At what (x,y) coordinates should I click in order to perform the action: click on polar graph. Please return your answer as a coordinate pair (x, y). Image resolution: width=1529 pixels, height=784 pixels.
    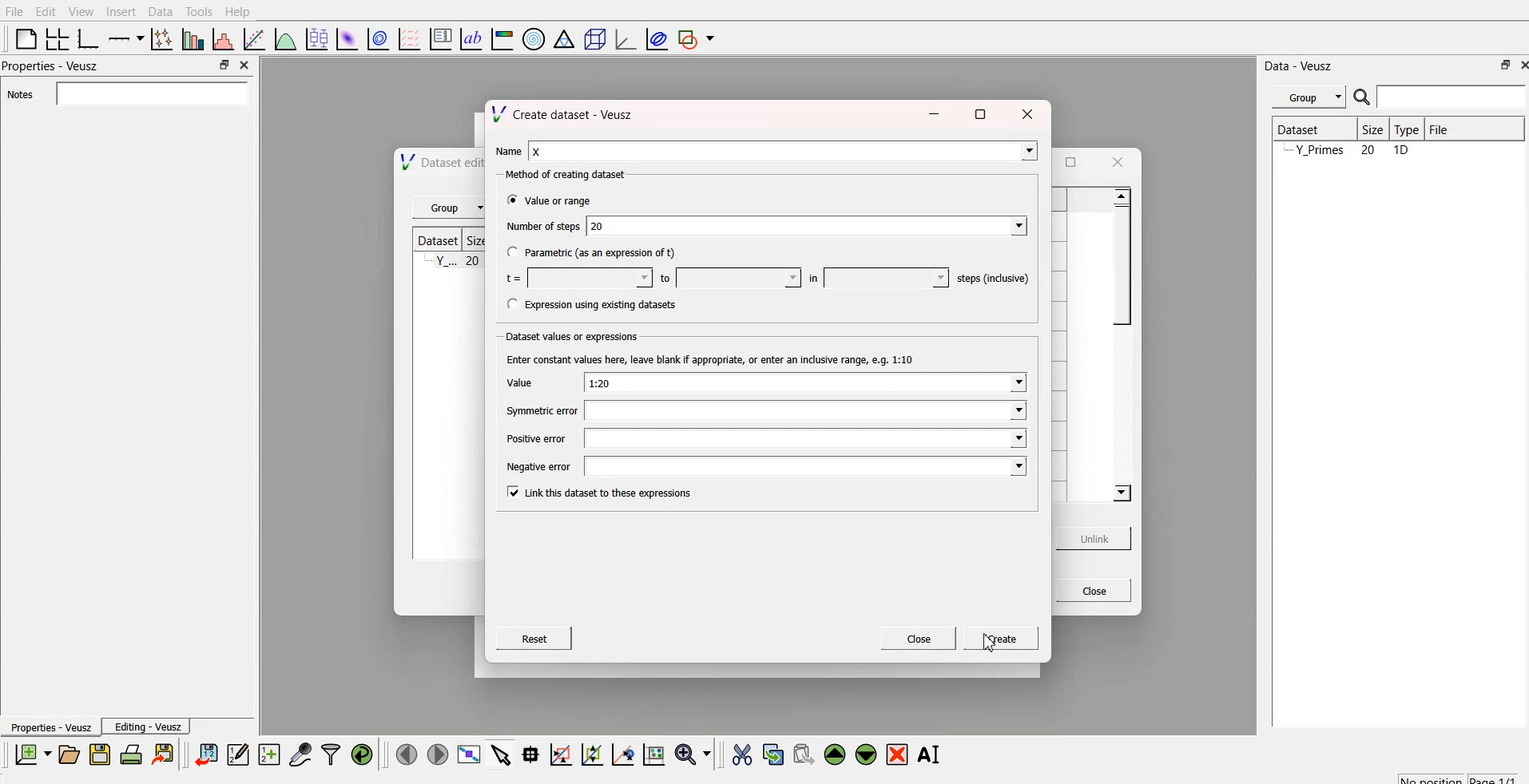
    Looking at the image, I should click on (536, 40).